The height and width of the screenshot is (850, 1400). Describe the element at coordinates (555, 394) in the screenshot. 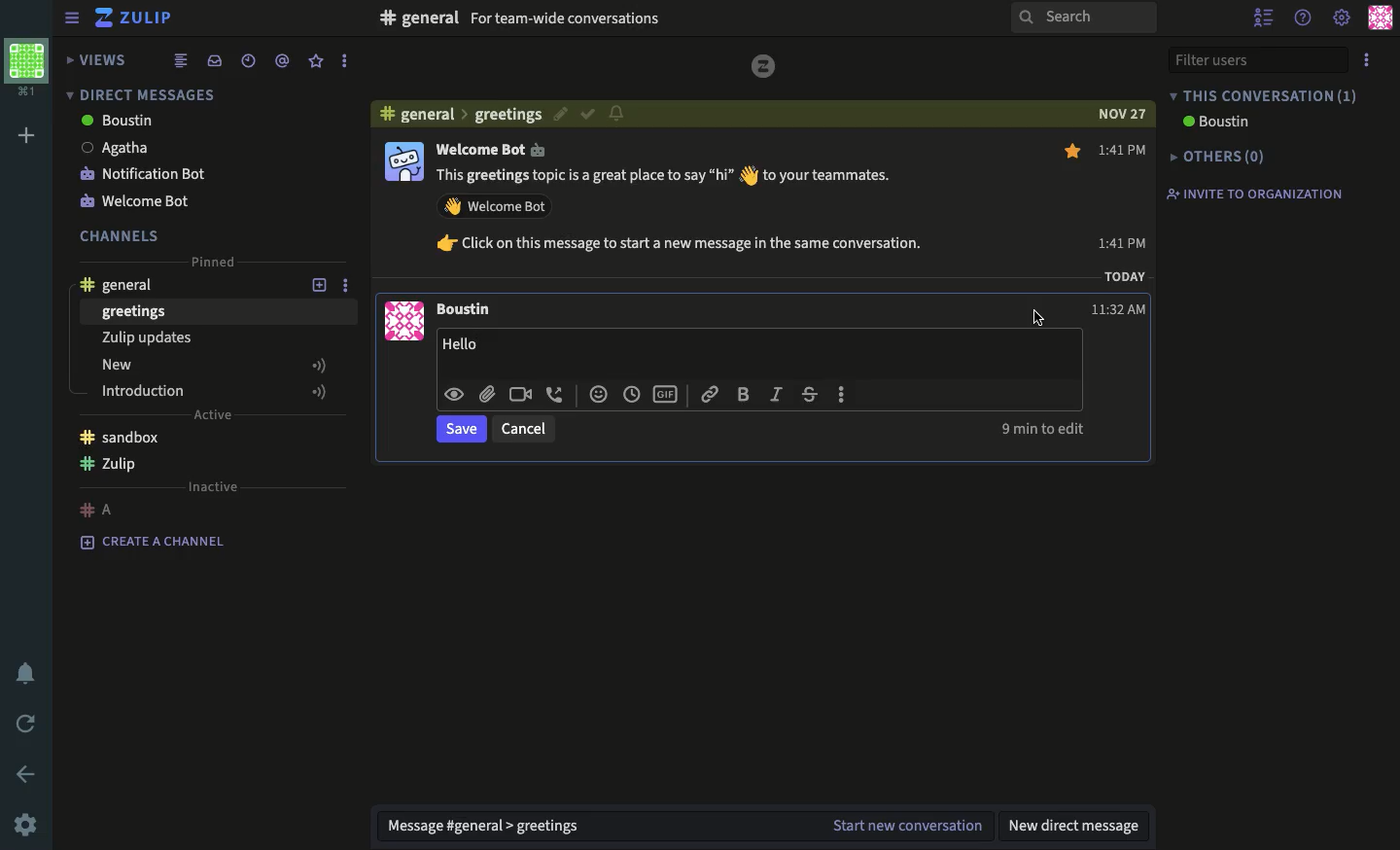

I see `audio call` at that location.